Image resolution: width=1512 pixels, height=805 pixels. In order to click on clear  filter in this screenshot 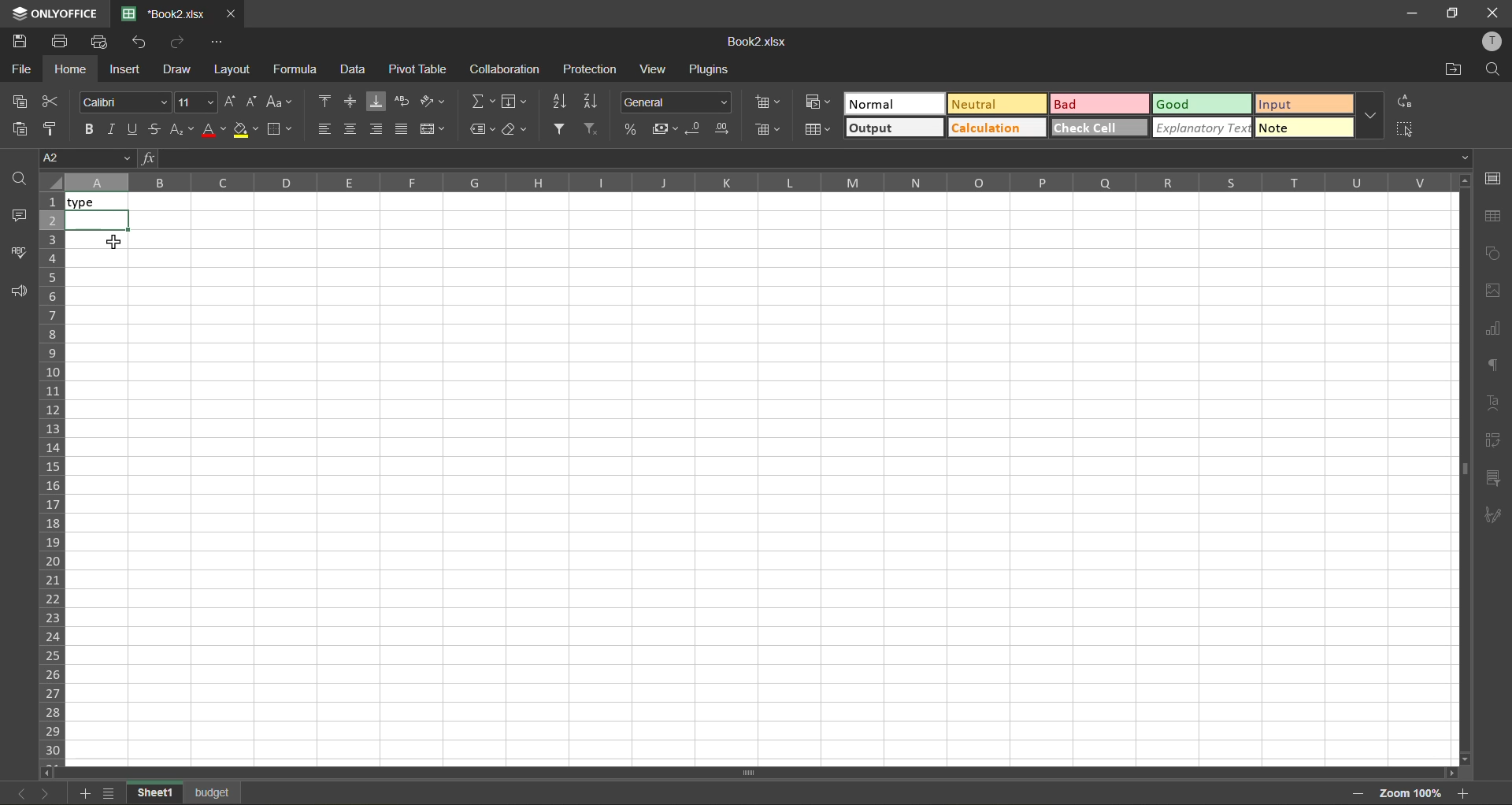, I will do `click(596, 129)`.